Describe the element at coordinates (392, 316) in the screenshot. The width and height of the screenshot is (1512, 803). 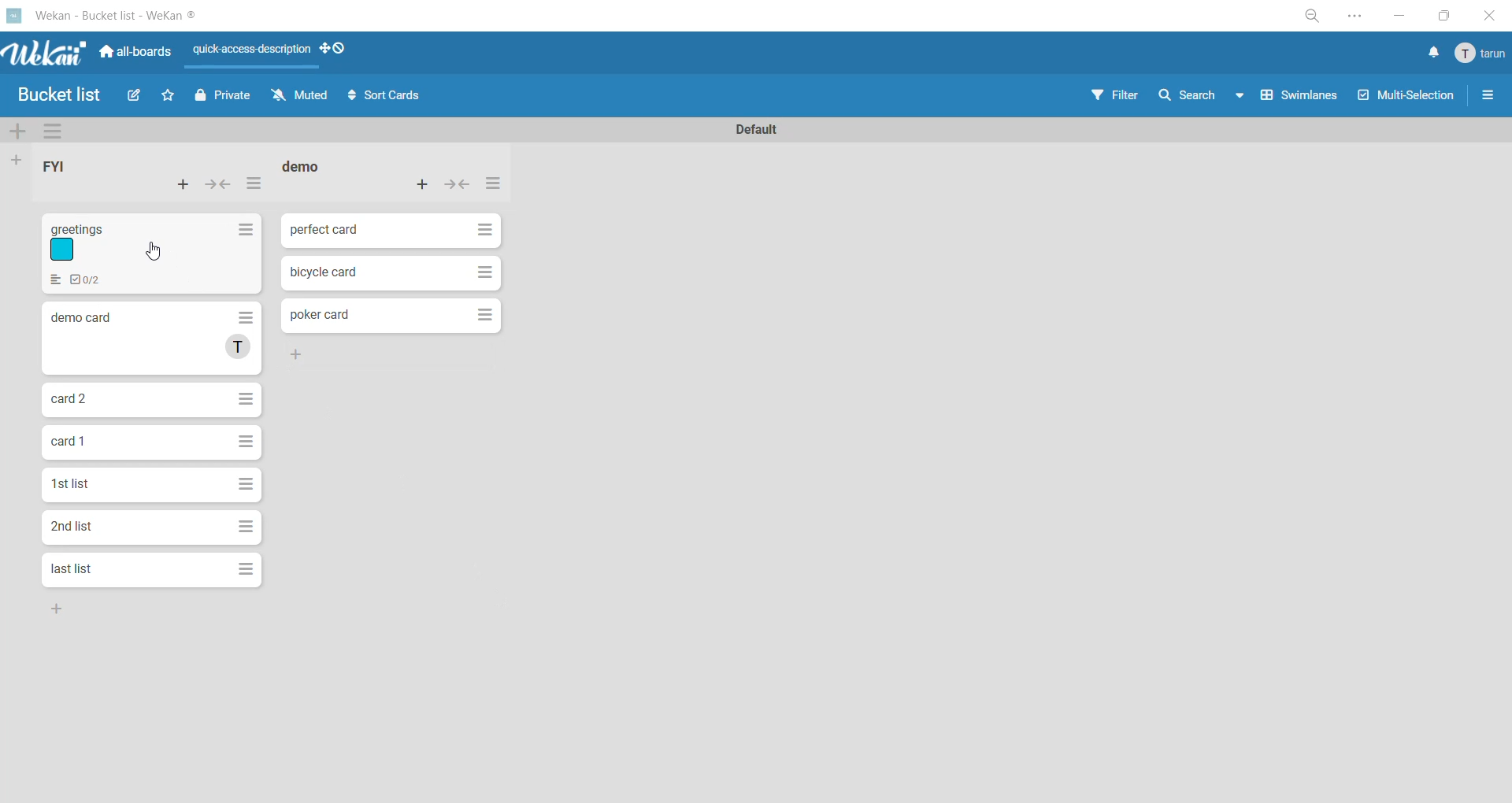
I see `poker card` at that location.